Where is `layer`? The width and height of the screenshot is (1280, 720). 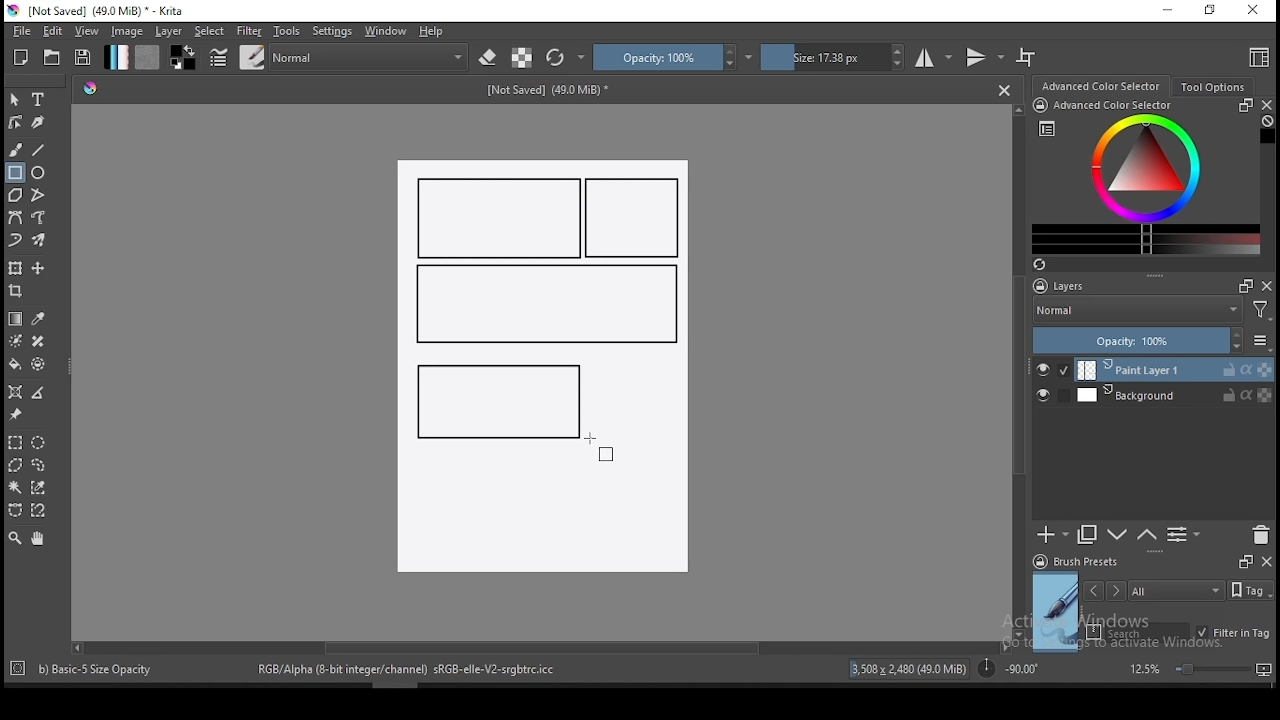 layer is located at coordinates (170, 31).